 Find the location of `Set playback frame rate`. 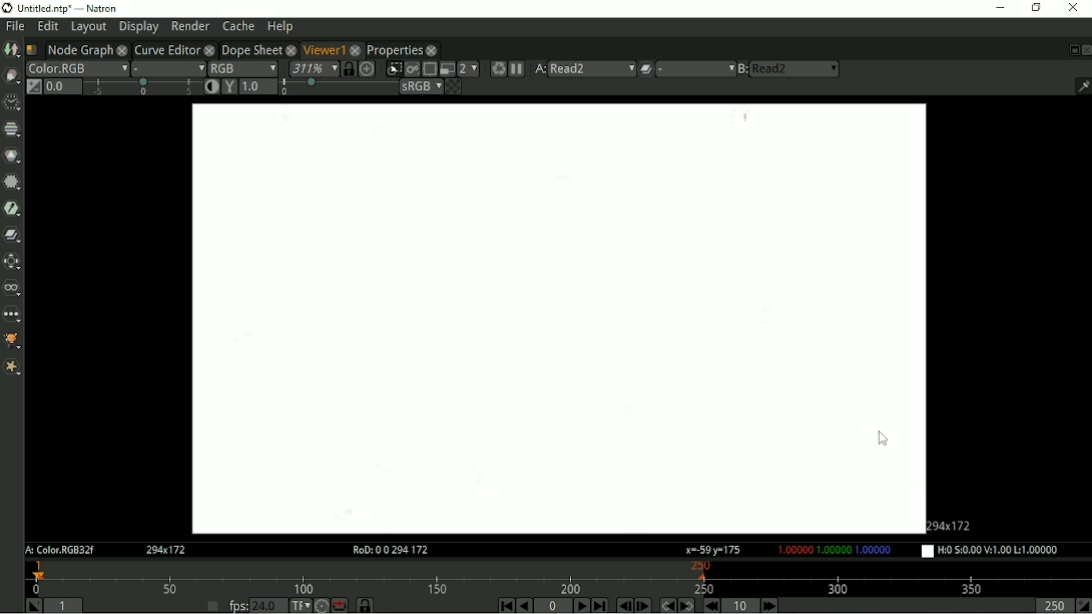

Set playback frame rate is located at coordinates (211, 604).